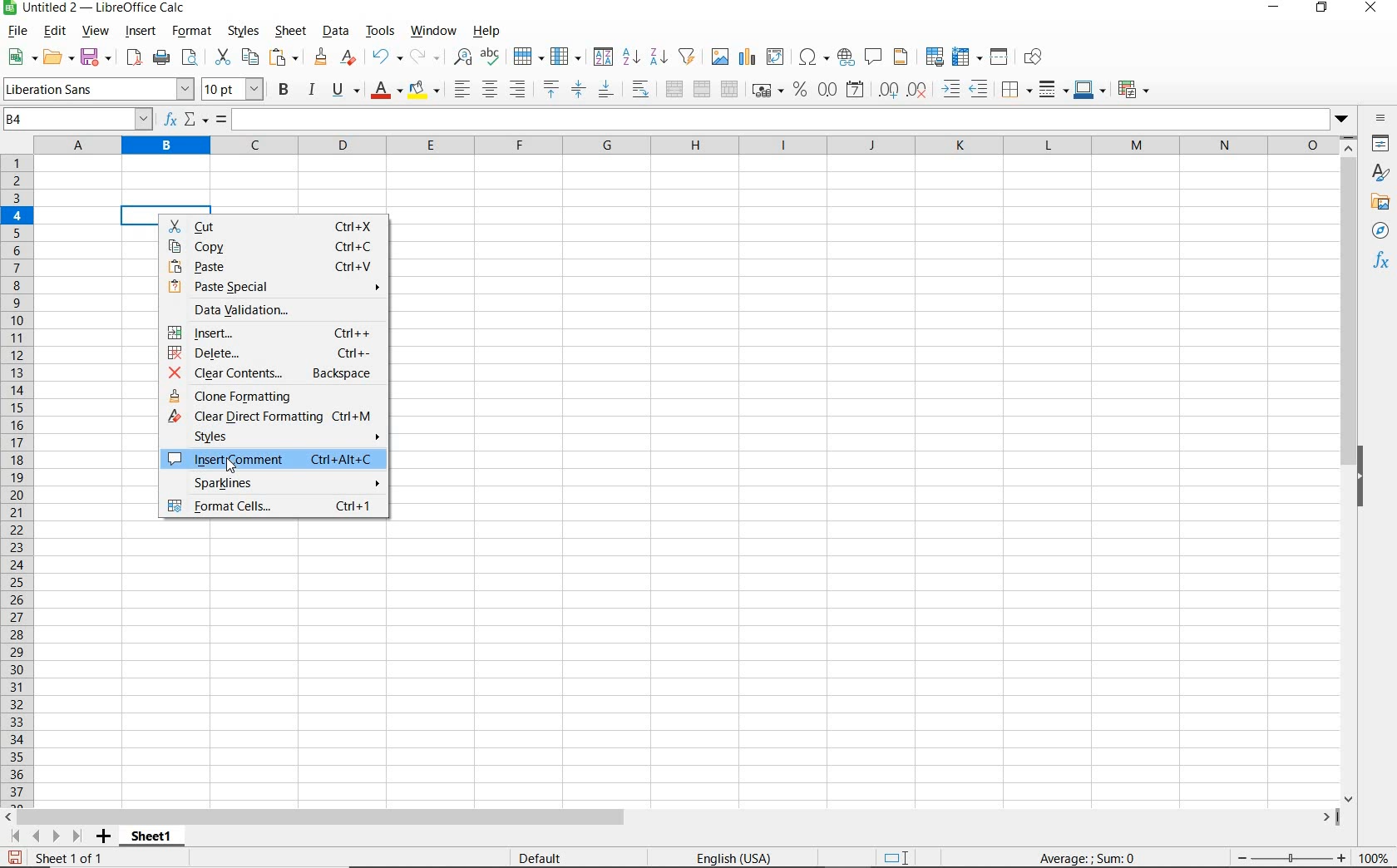 The height and width of the screenshot is (868, 1397). What do you see at coordinates (162, 57) in the screenshot?
I see `print` at bounding box center [162, 57].